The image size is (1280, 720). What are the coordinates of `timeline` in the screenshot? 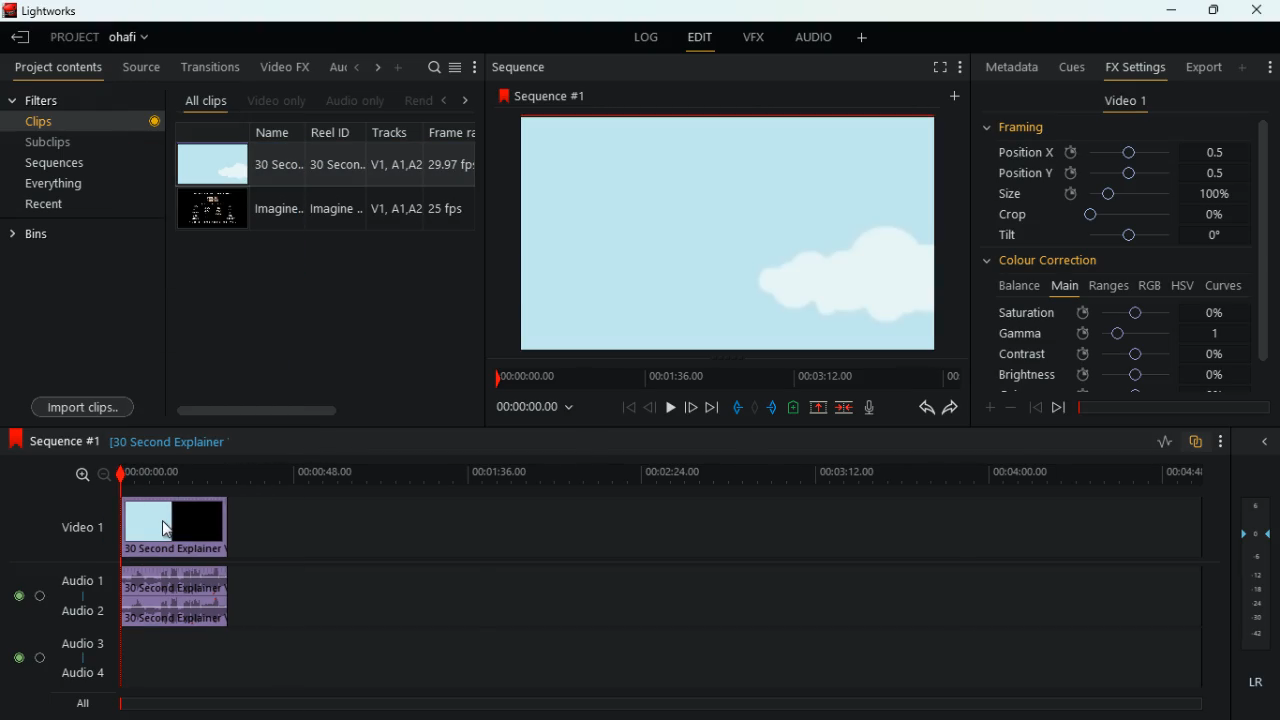 It's located at (725, 377).